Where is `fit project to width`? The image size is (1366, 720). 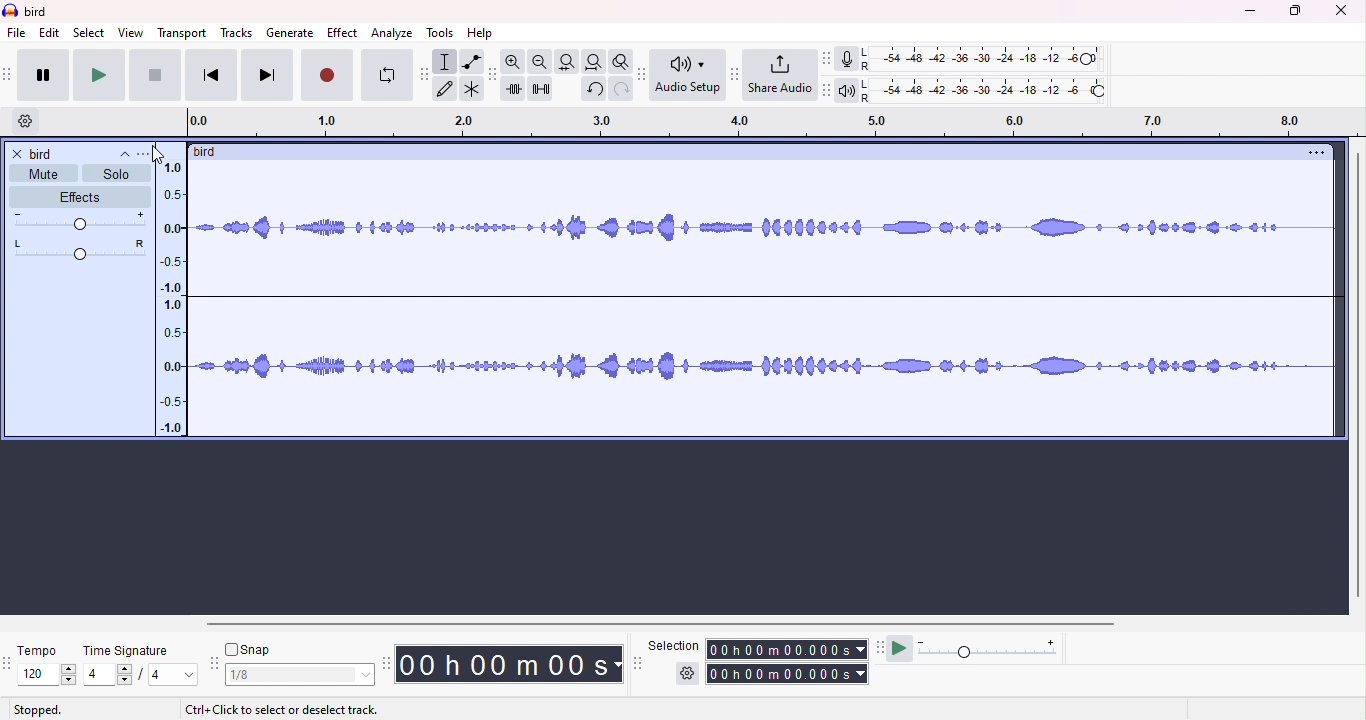 fit project to width is located at coordinates (593, 62).